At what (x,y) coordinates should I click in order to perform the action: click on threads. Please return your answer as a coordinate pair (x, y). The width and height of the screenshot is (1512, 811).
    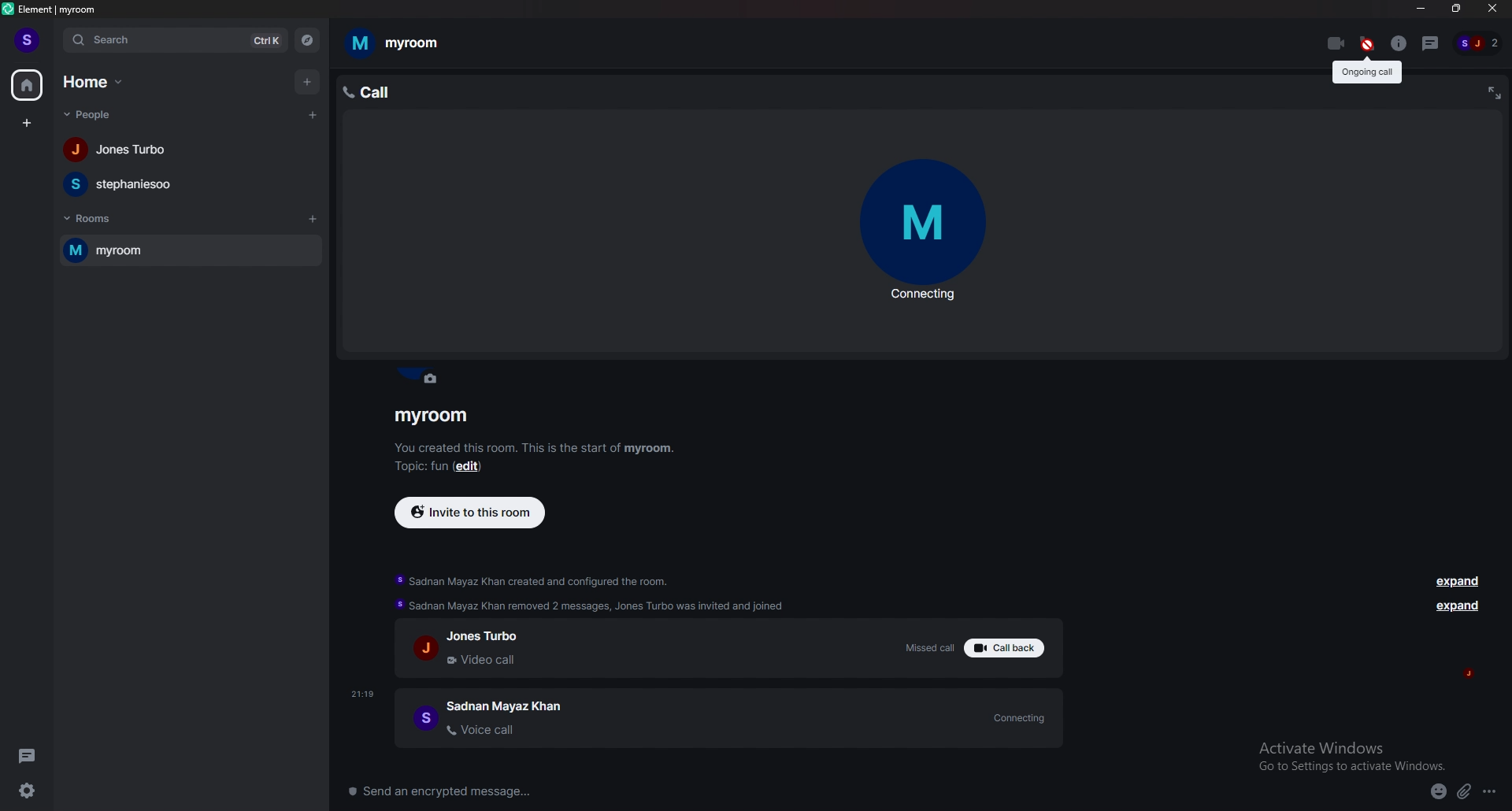
    Looking at the image, I should click on (1432, 44).